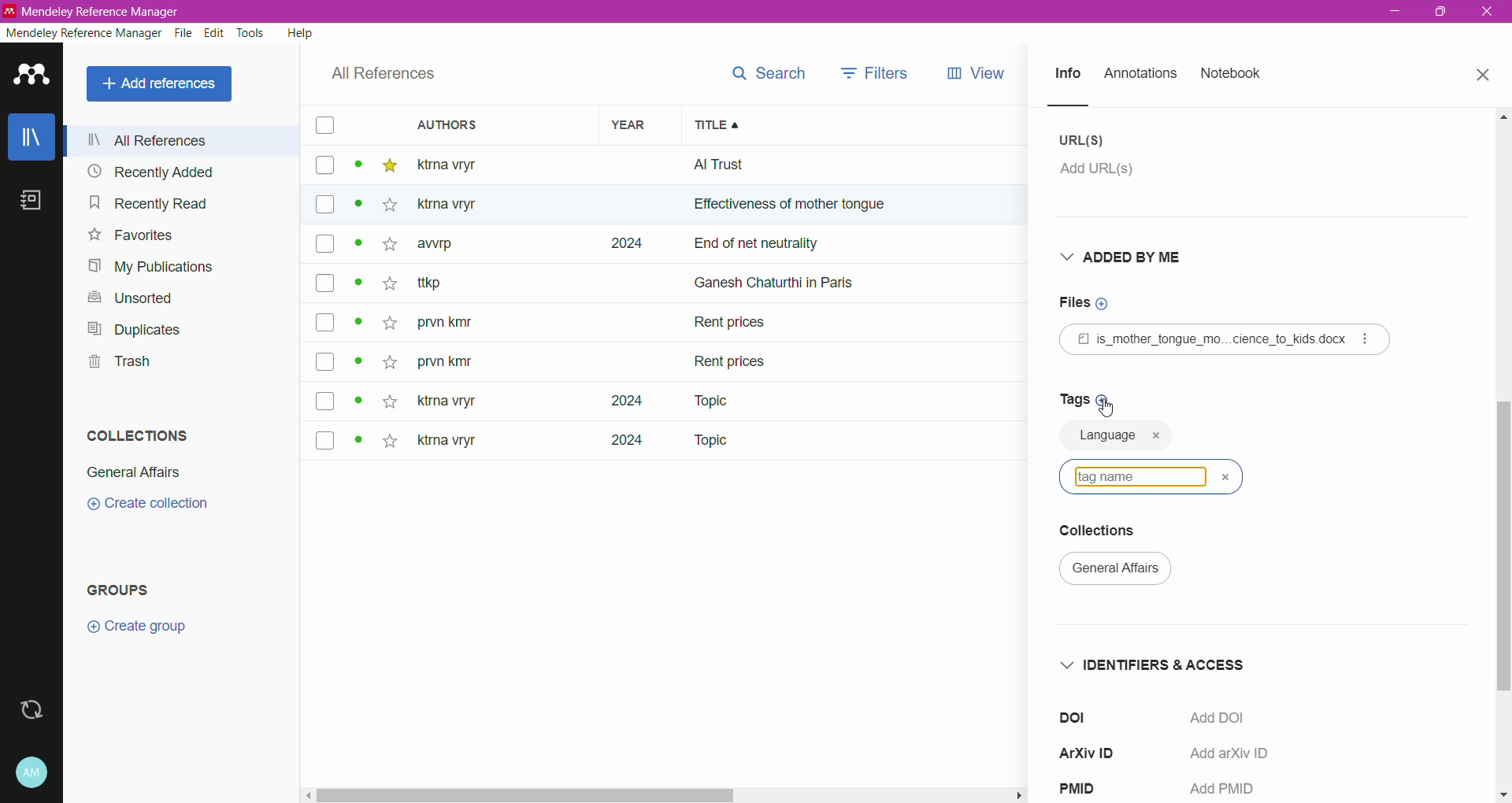 This screenshot has width=1512, height=803. Describe the element at coordinates (458, 164) in the screenshot. I see `ktma vtyr` at that location.